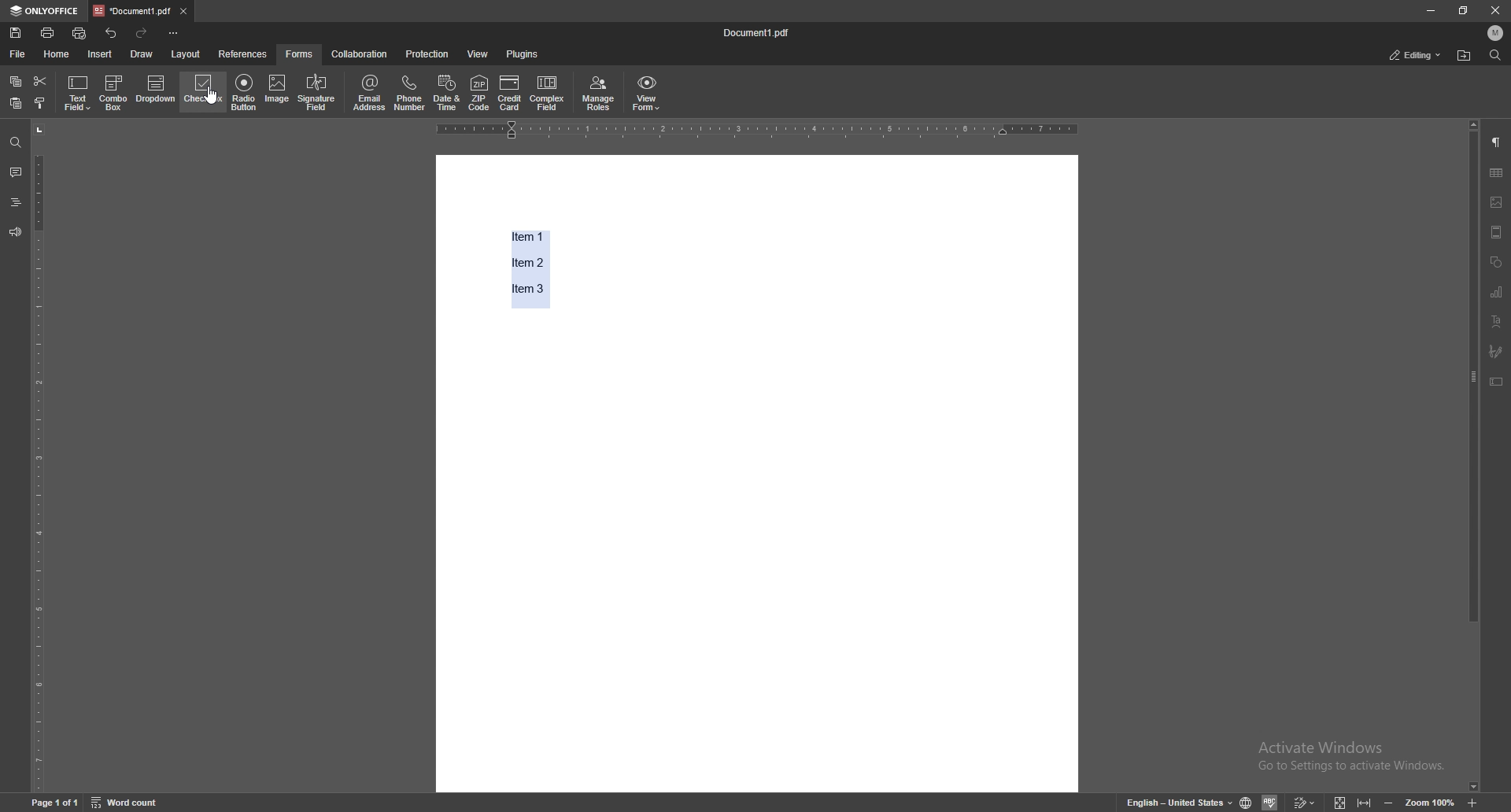  What do you see at coordinates (142, 33) in the screenshot?
I see `redo` at bounding box center [142, 33].